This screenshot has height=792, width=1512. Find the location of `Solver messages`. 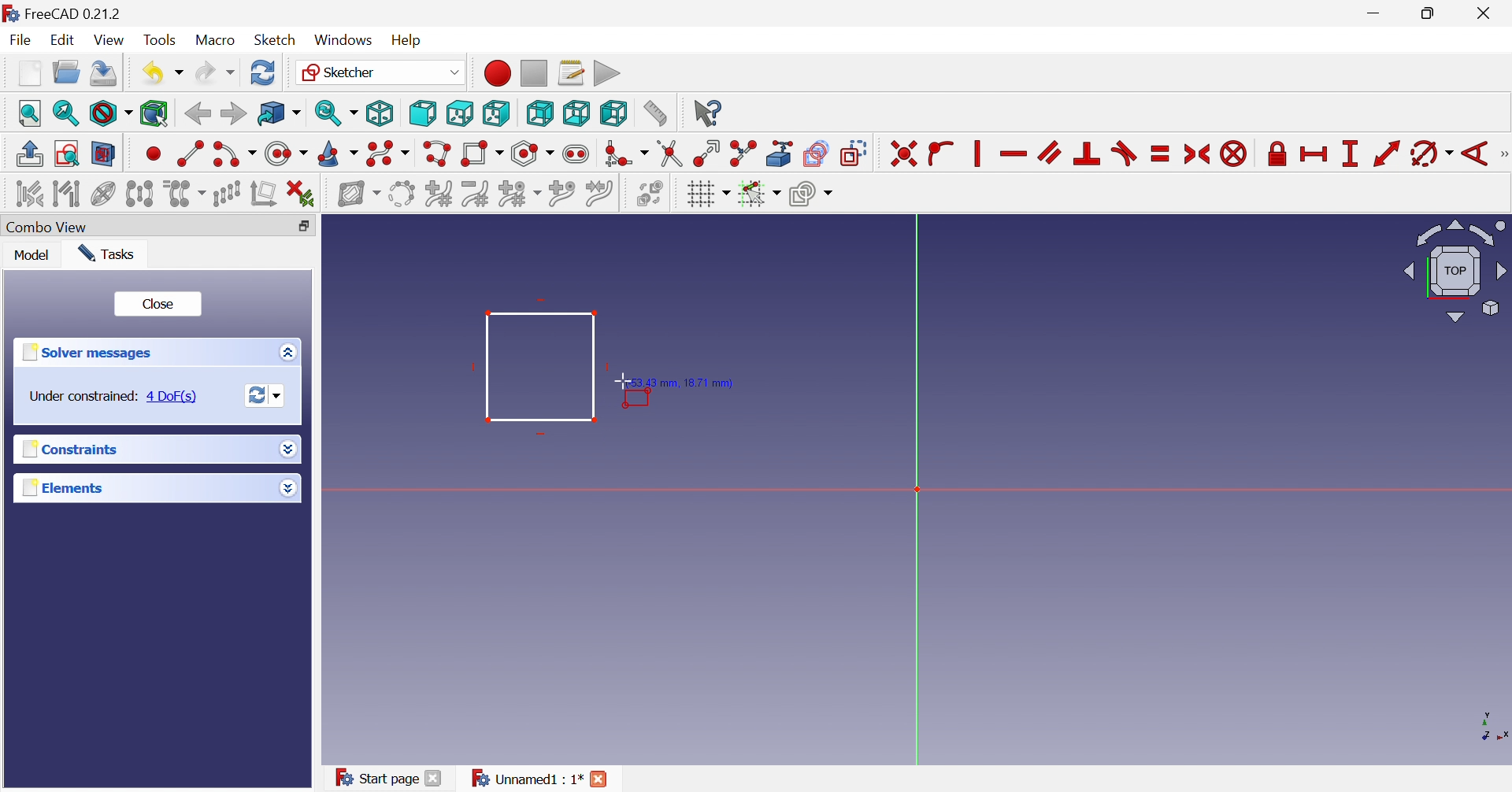

Solver messages is located at coordinates (85, 353).